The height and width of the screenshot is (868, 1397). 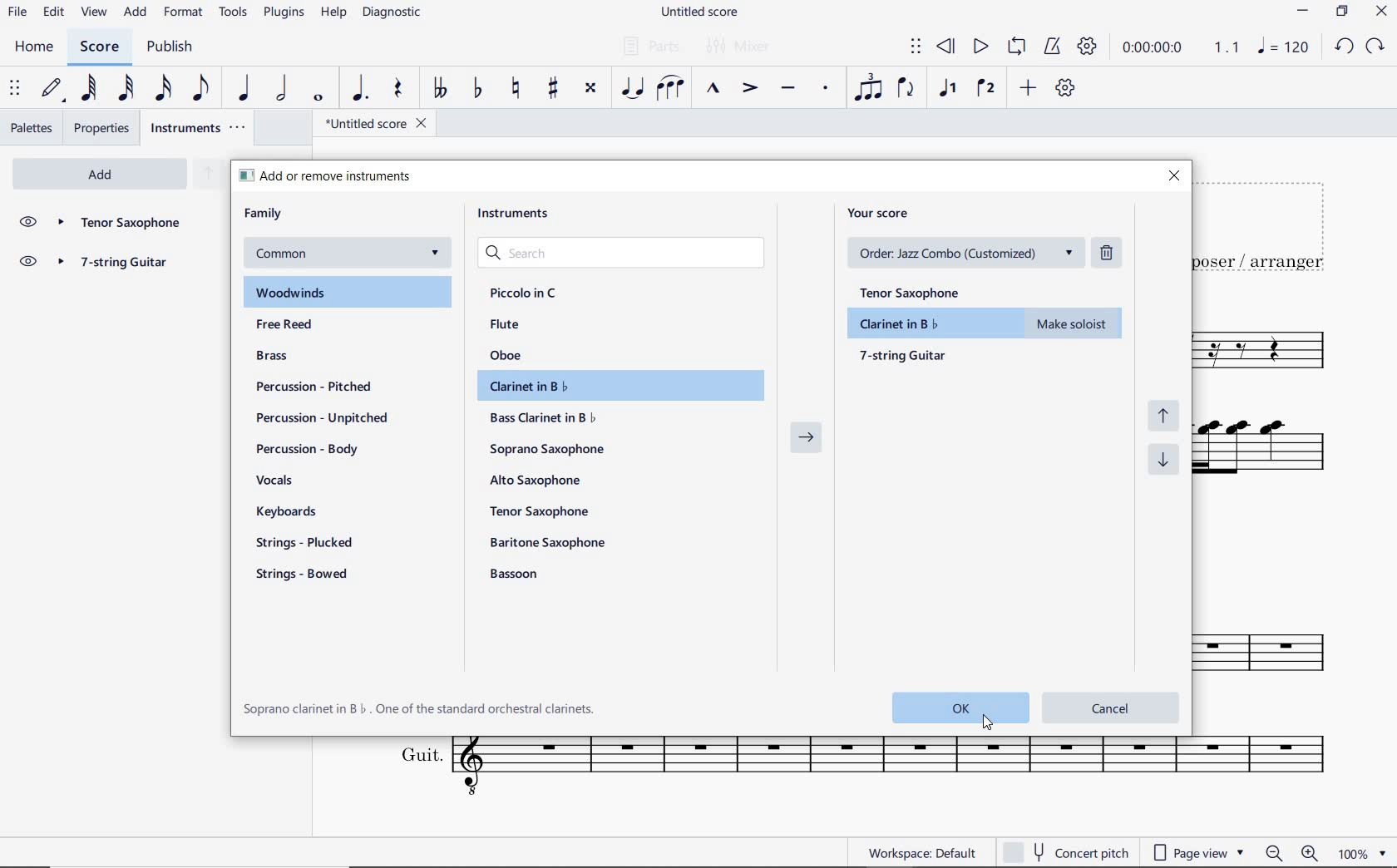 What do you see at coordinates (648, 44) in the screenshot?
I see `PARTS` at bounding box center [648, 44].